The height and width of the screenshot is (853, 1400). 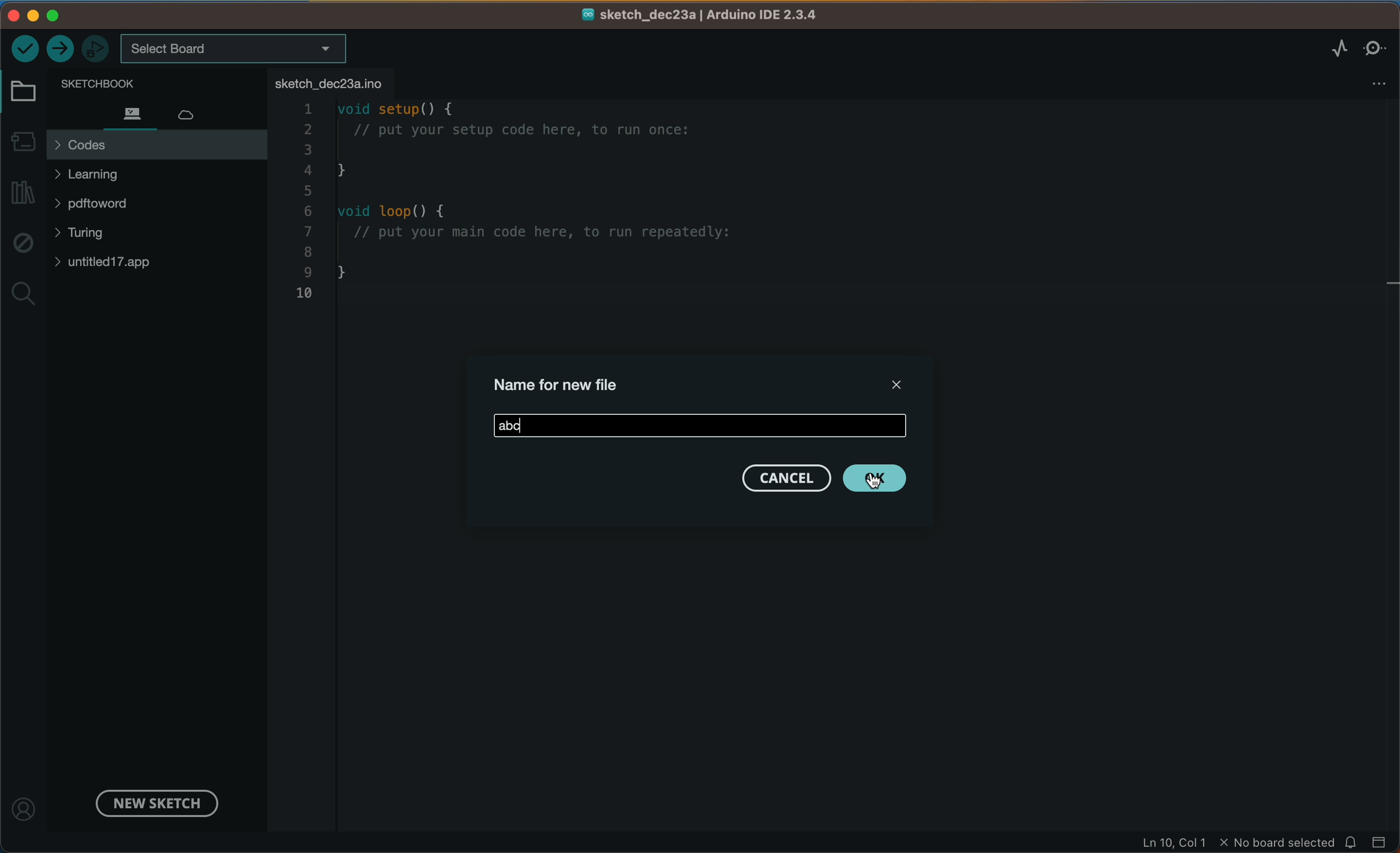 What do you see at coordinates (701, 15) in the screenshot?
I see `file name` at bounding box center [701, 15].